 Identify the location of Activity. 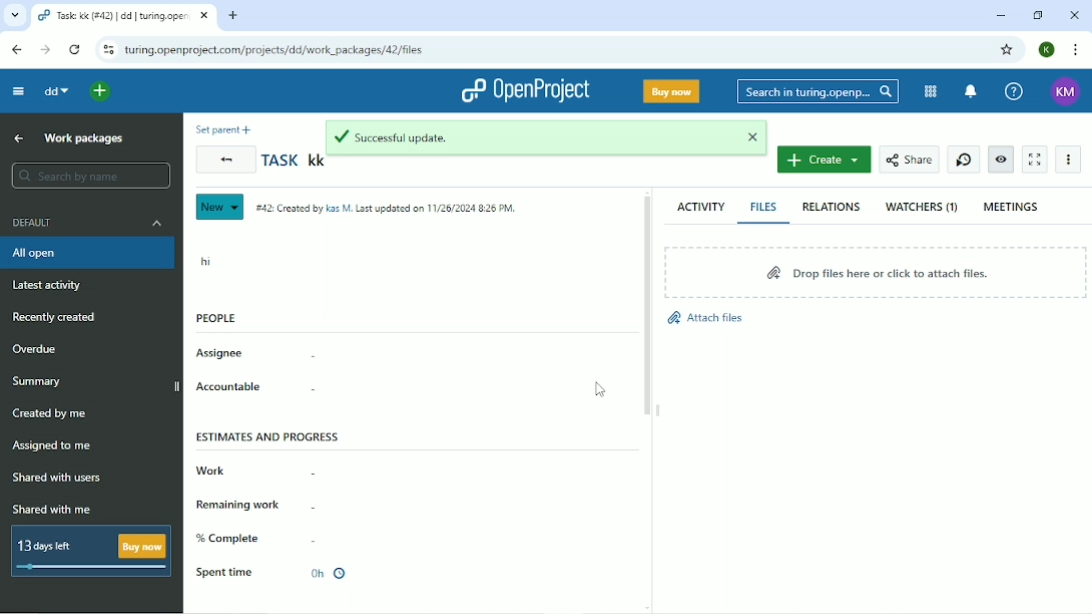
(702, 208).